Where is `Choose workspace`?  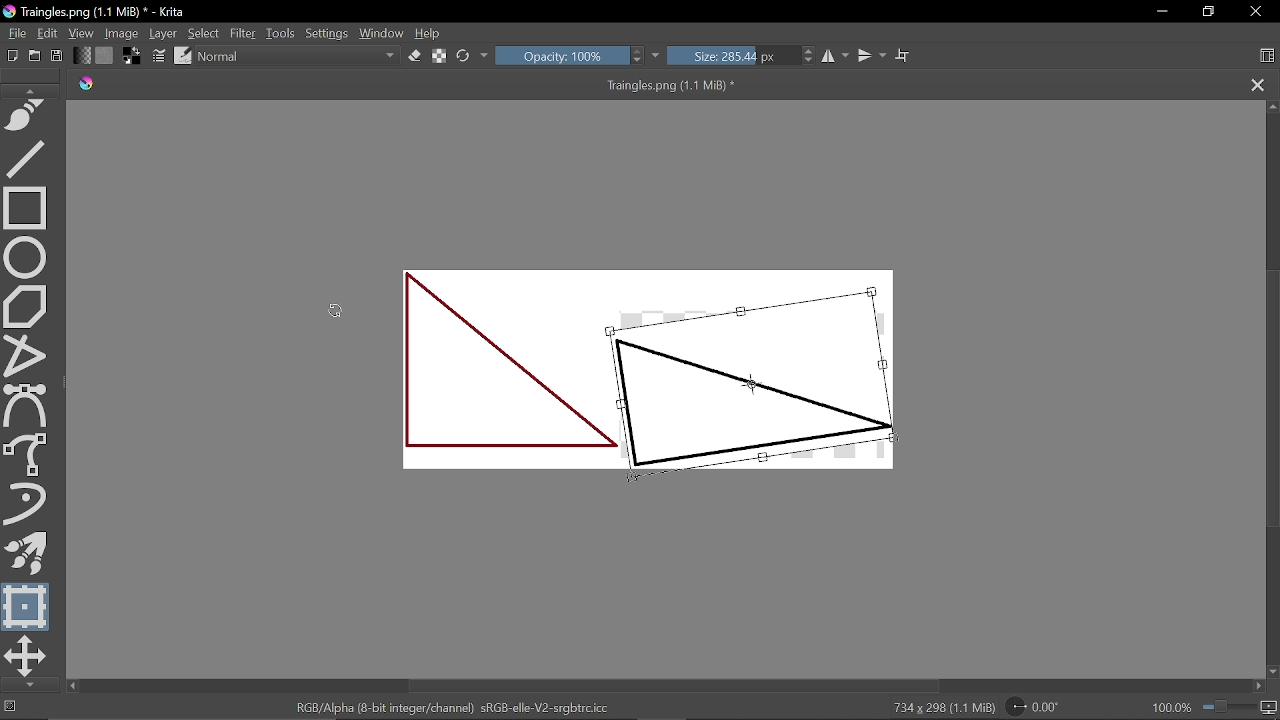 Choose workspace is located at coordinates (1266, 58).